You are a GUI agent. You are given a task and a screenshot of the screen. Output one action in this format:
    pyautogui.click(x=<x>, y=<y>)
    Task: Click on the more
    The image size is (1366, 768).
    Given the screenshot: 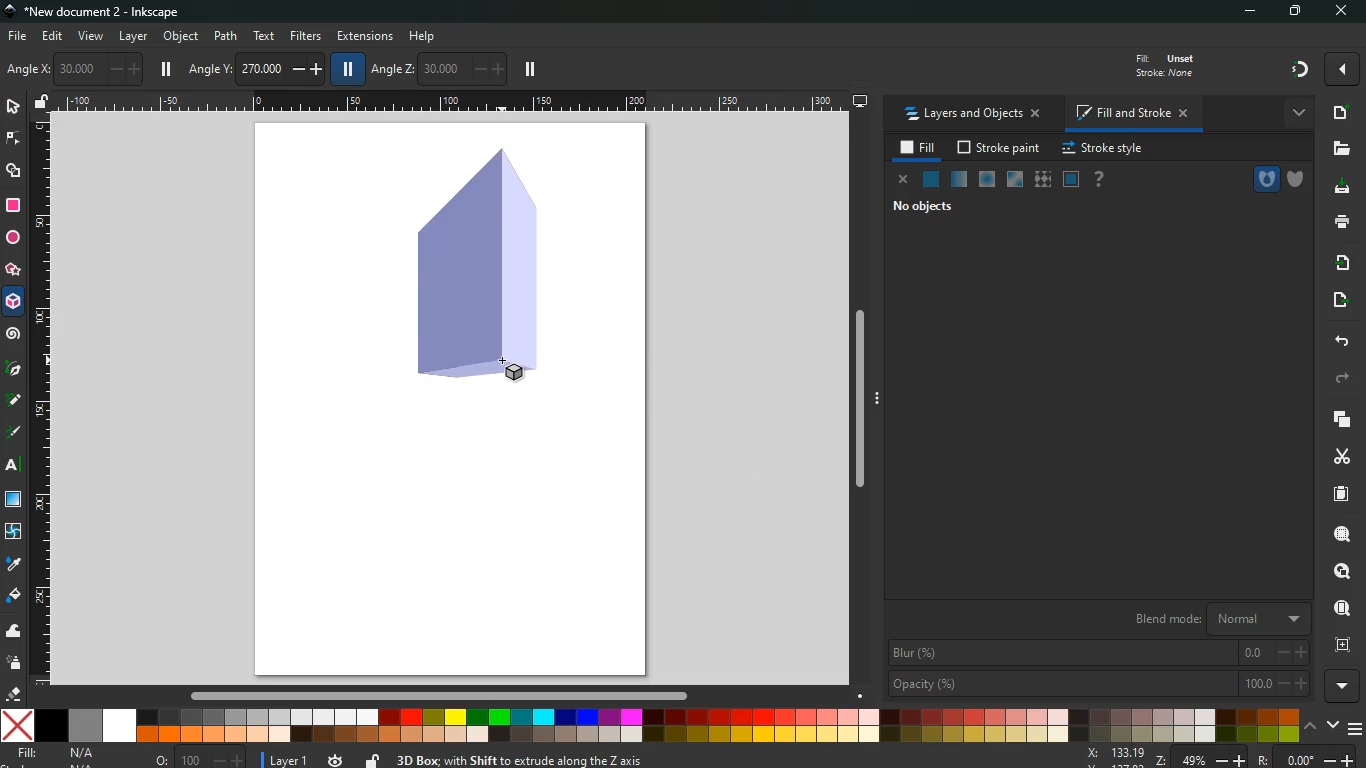 What is the action you would take?
    pyautogui.click(x=1342, y=69)
    